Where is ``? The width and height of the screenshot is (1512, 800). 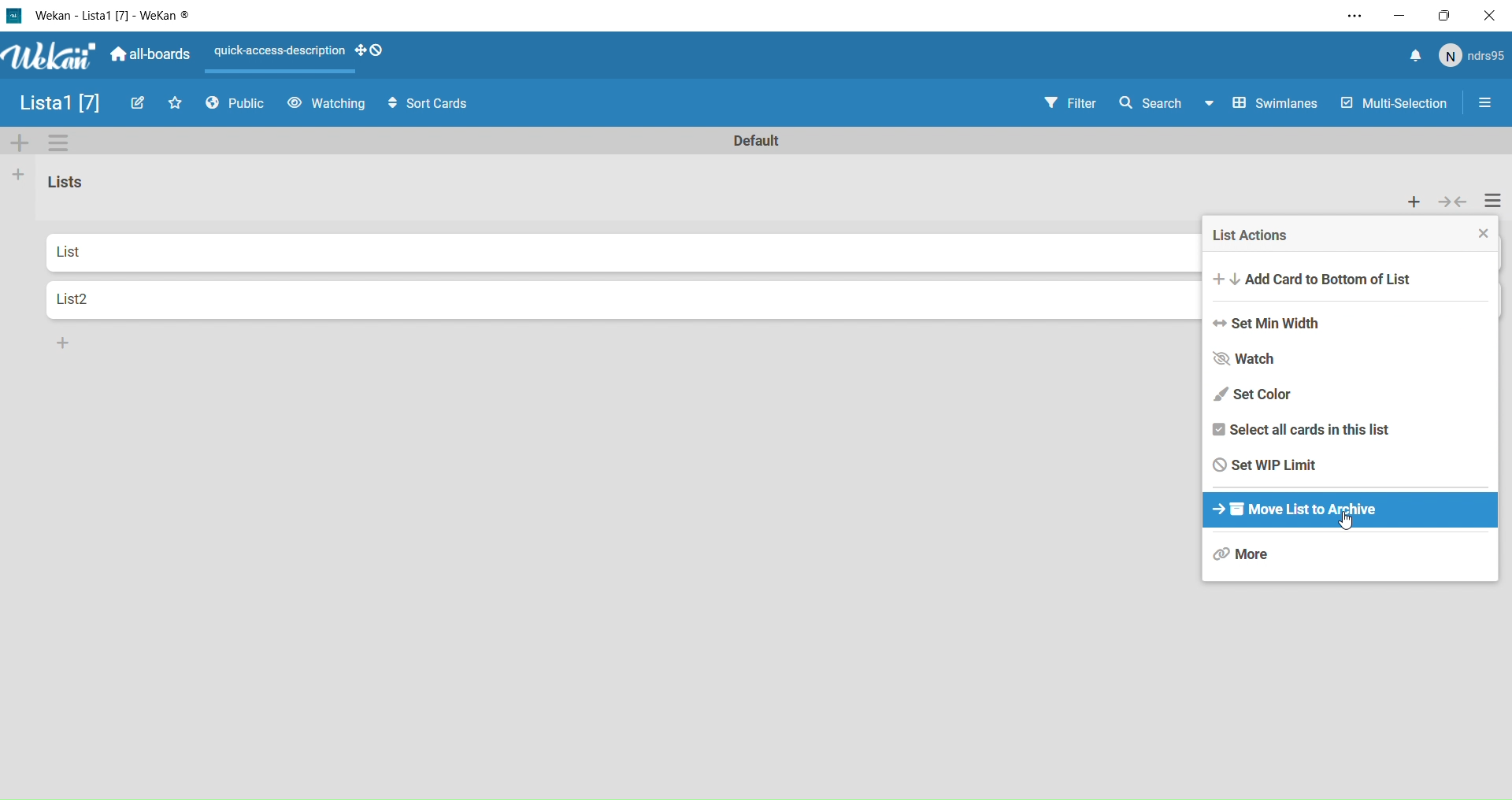
 is located at coordinates (615, 302).